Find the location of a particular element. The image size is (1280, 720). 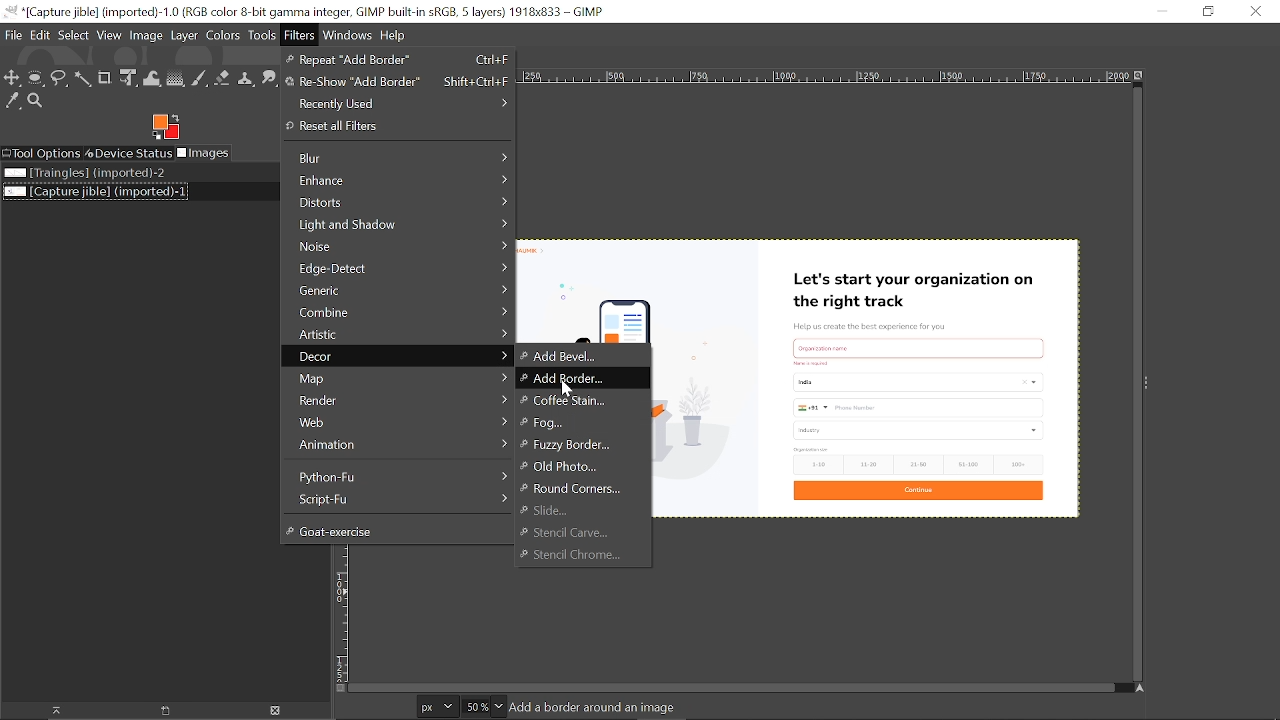

Foreground color is located at coordinates (165, 127).